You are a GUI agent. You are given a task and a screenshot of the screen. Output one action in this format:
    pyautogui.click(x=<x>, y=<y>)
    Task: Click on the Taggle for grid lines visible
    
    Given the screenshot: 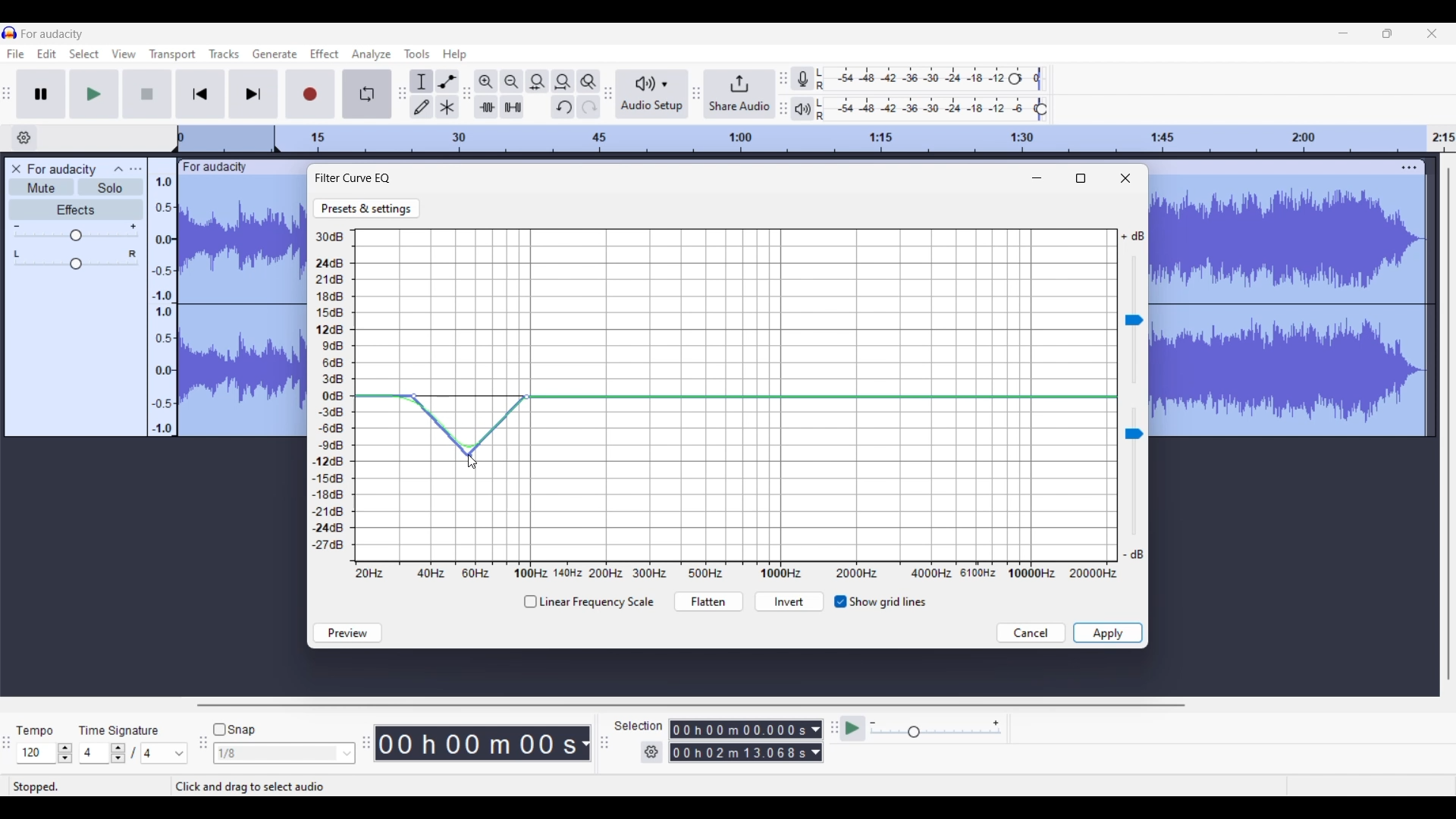 What is the action you would take?
    pyautogui.click(x=880, y=602)
    